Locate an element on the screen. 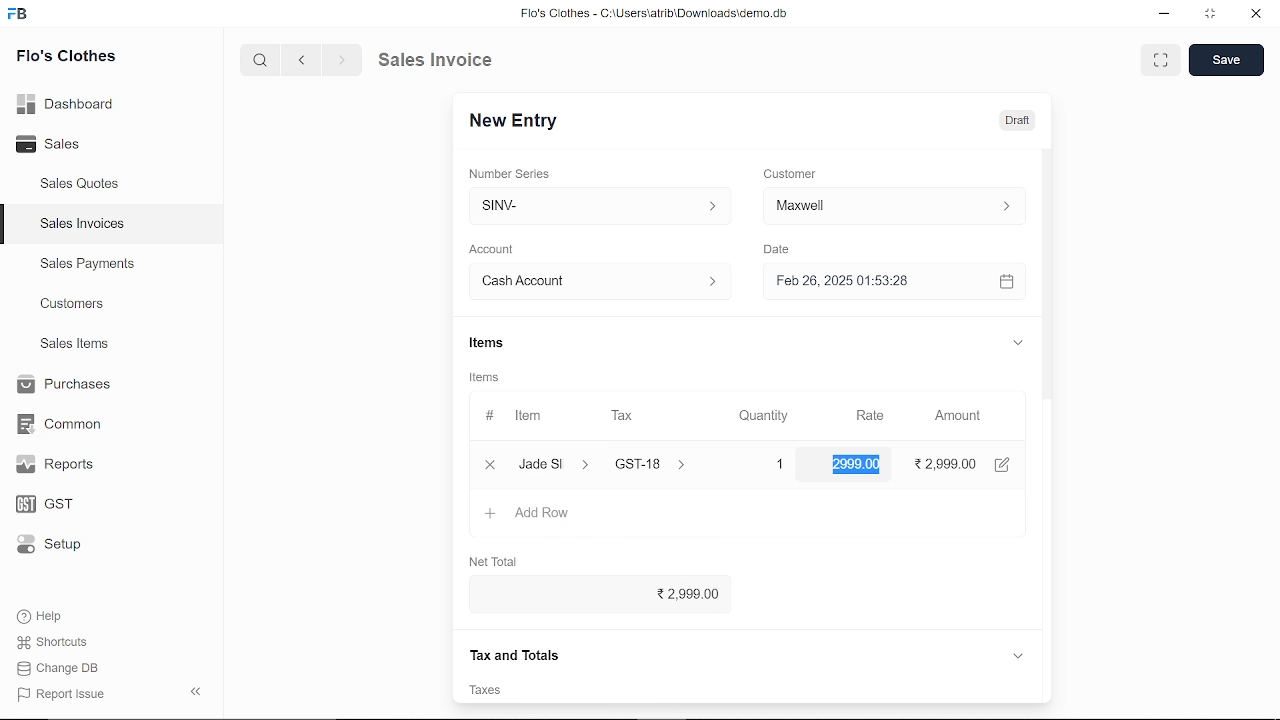 The image size is (1280, 720). restore down is located at coordinates (1212, 15).